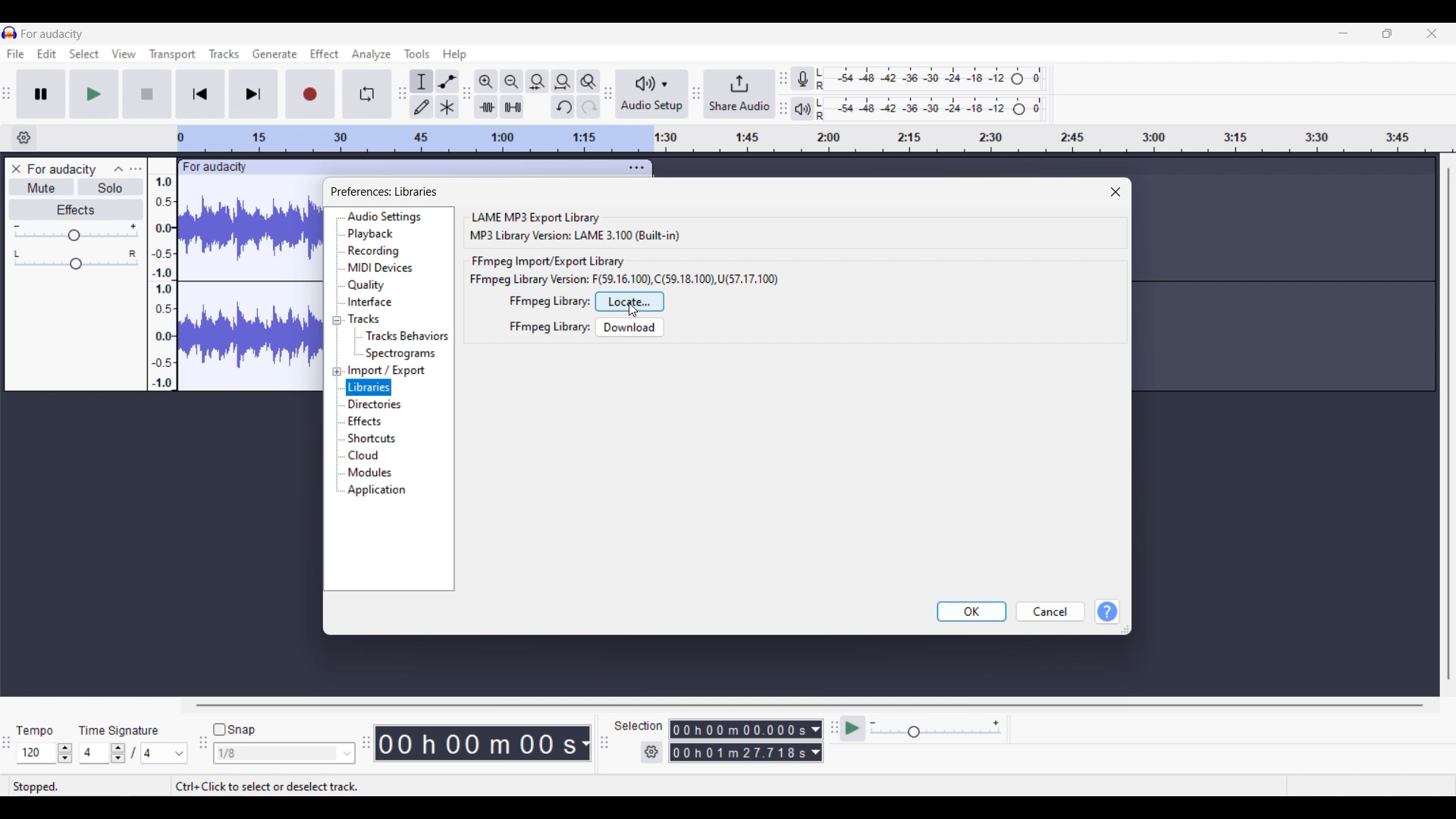 This screenshot has width=1456, height=819. Describe the element at coordinates (172, 55) in the screenshot. I see `Transport menu` at that location.